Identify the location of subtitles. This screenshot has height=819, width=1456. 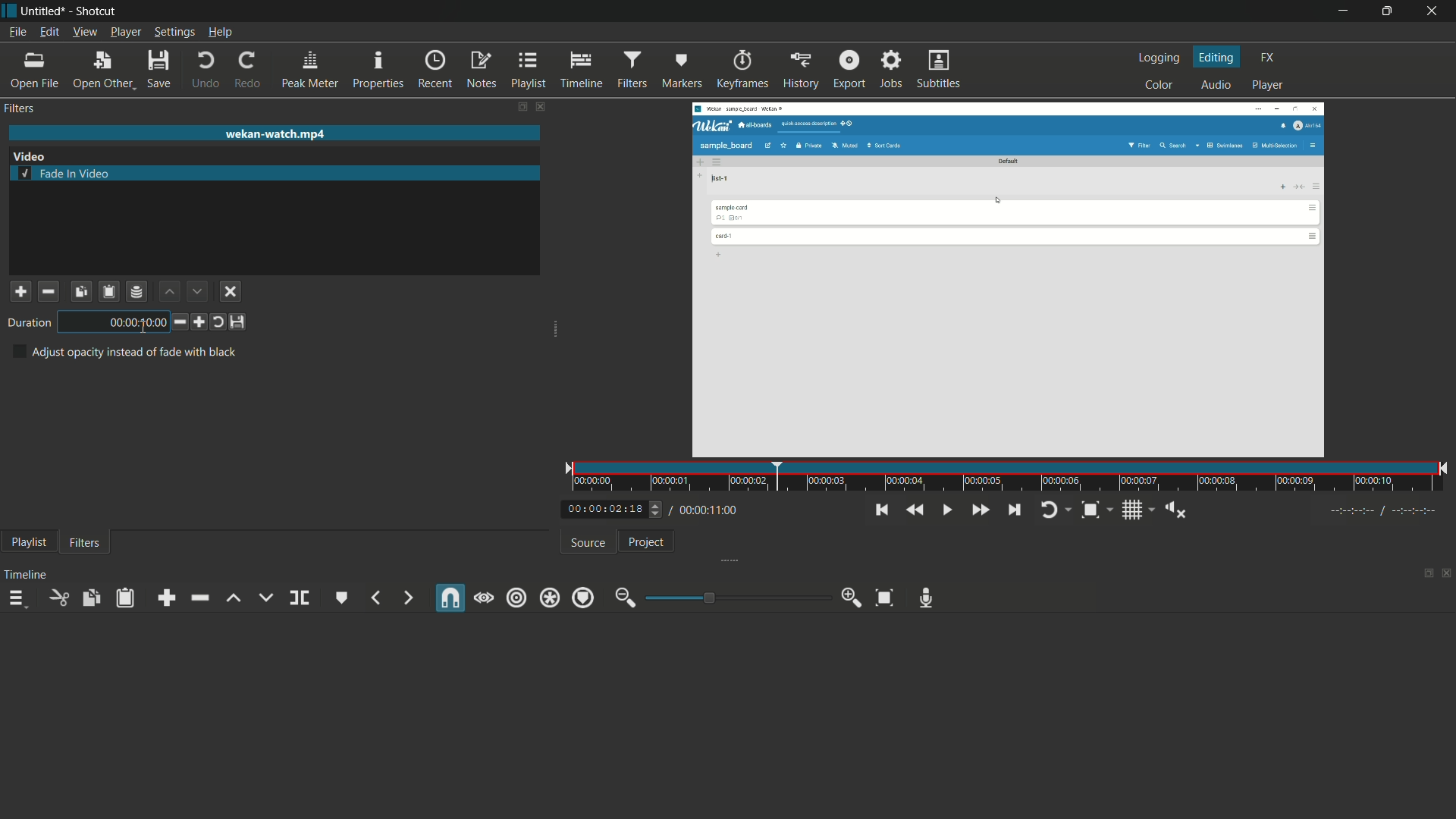
(940, 70).